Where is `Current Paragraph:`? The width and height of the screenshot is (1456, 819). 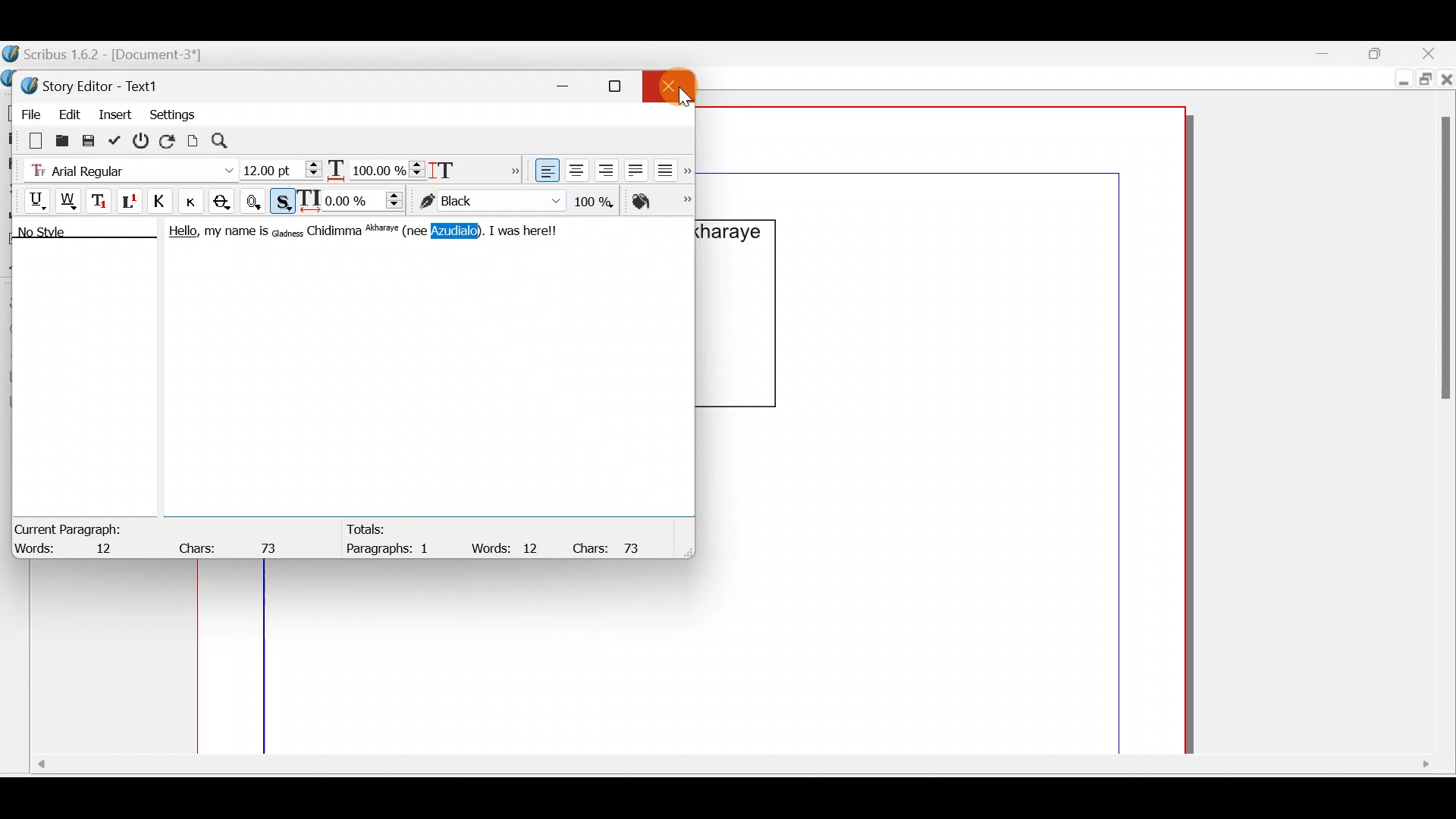 Current Paragraph: is located at coordinates (70, 527).